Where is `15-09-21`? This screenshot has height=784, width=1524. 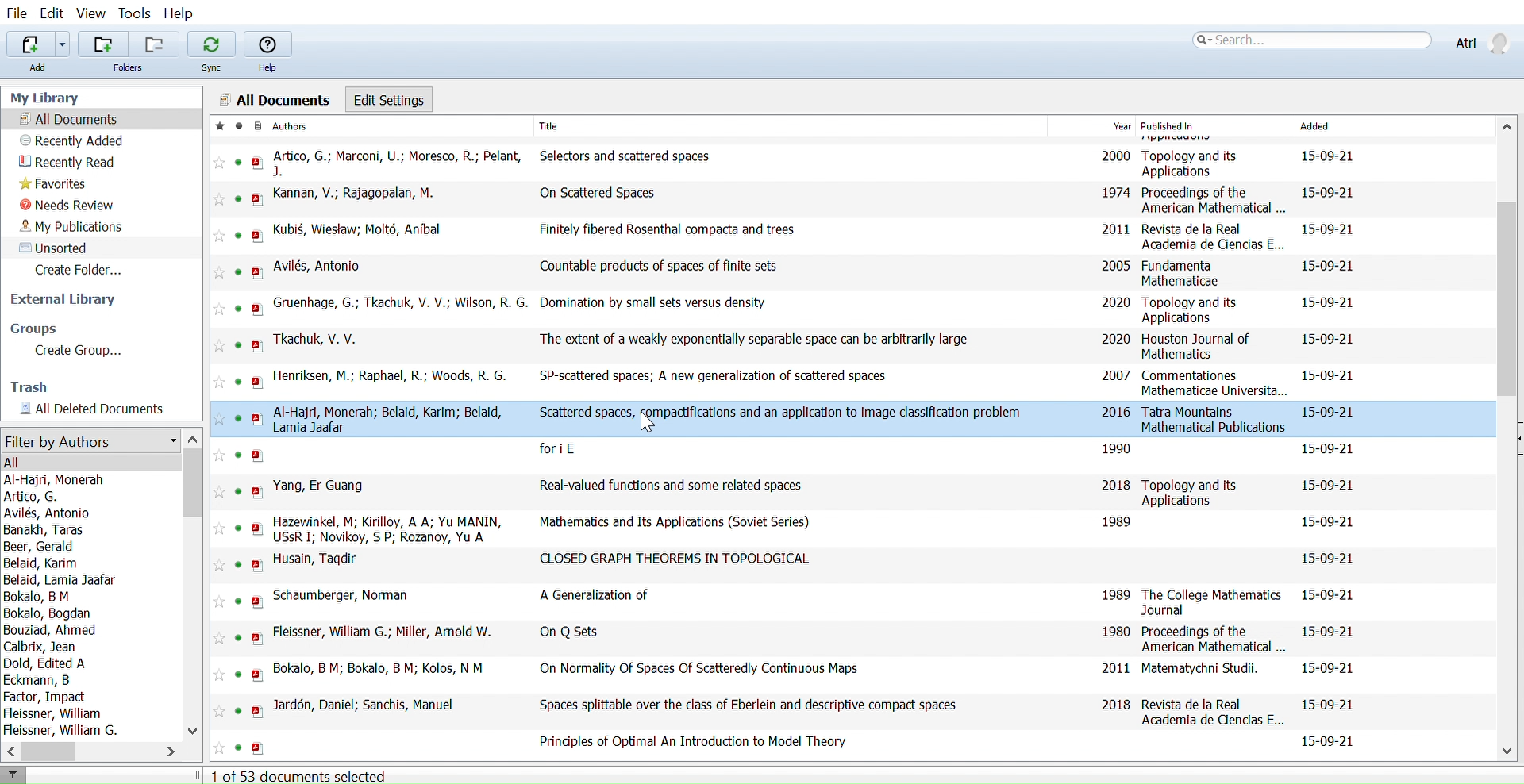 15-09-21 is located at coordinates (1326, 742).